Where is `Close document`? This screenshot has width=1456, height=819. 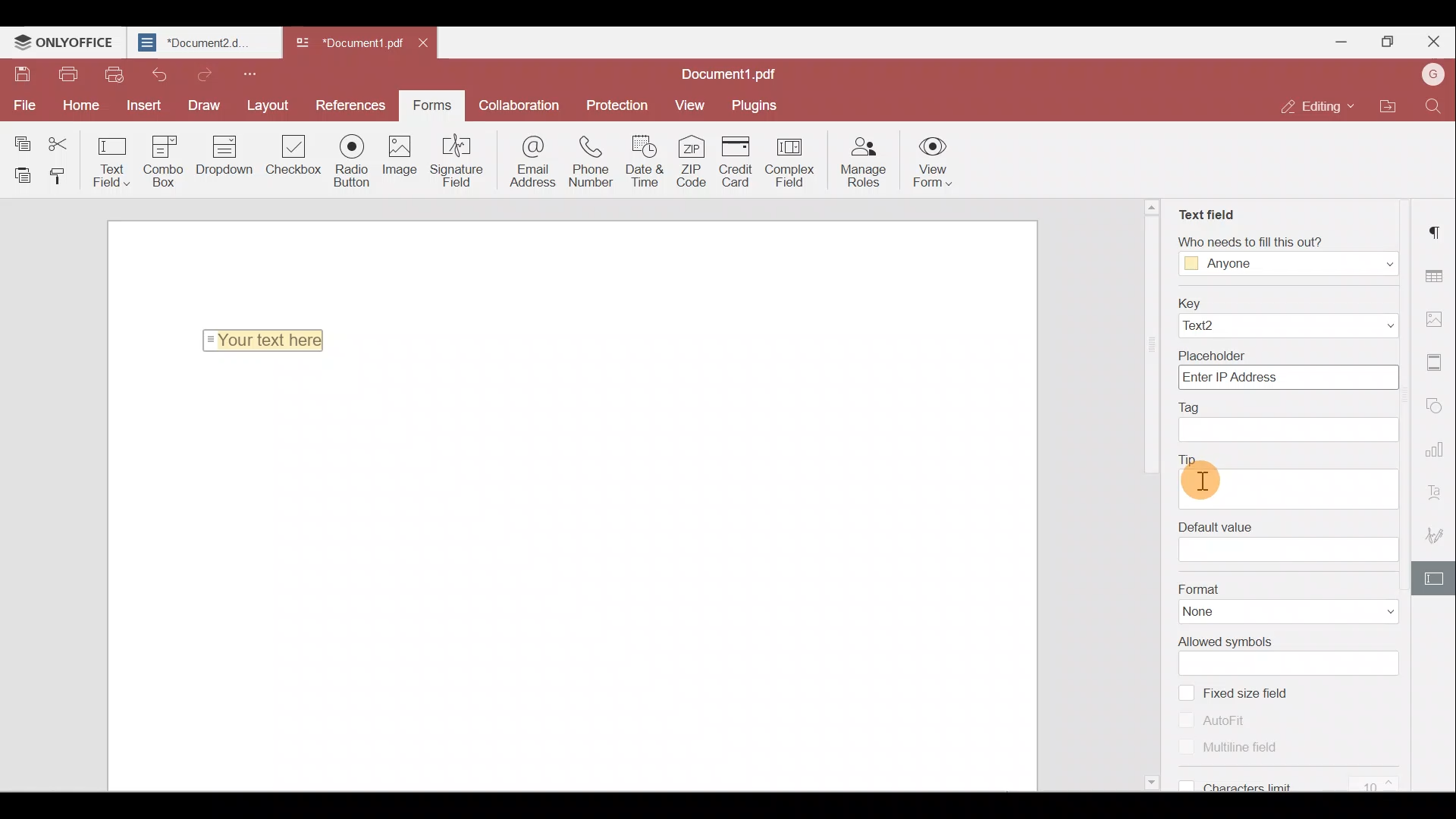
Close document is located at coordinates (427, 45).